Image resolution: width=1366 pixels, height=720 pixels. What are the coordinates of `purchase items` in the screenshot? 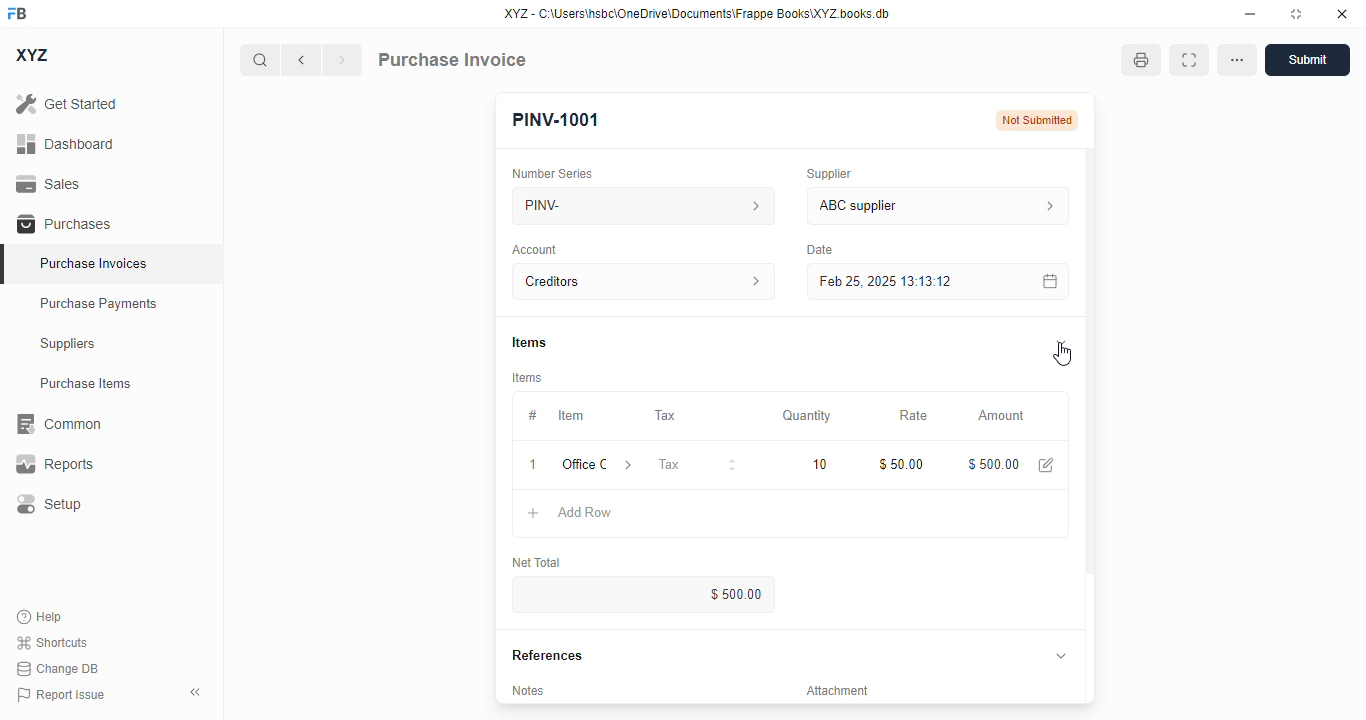 It's located at (86, 383).